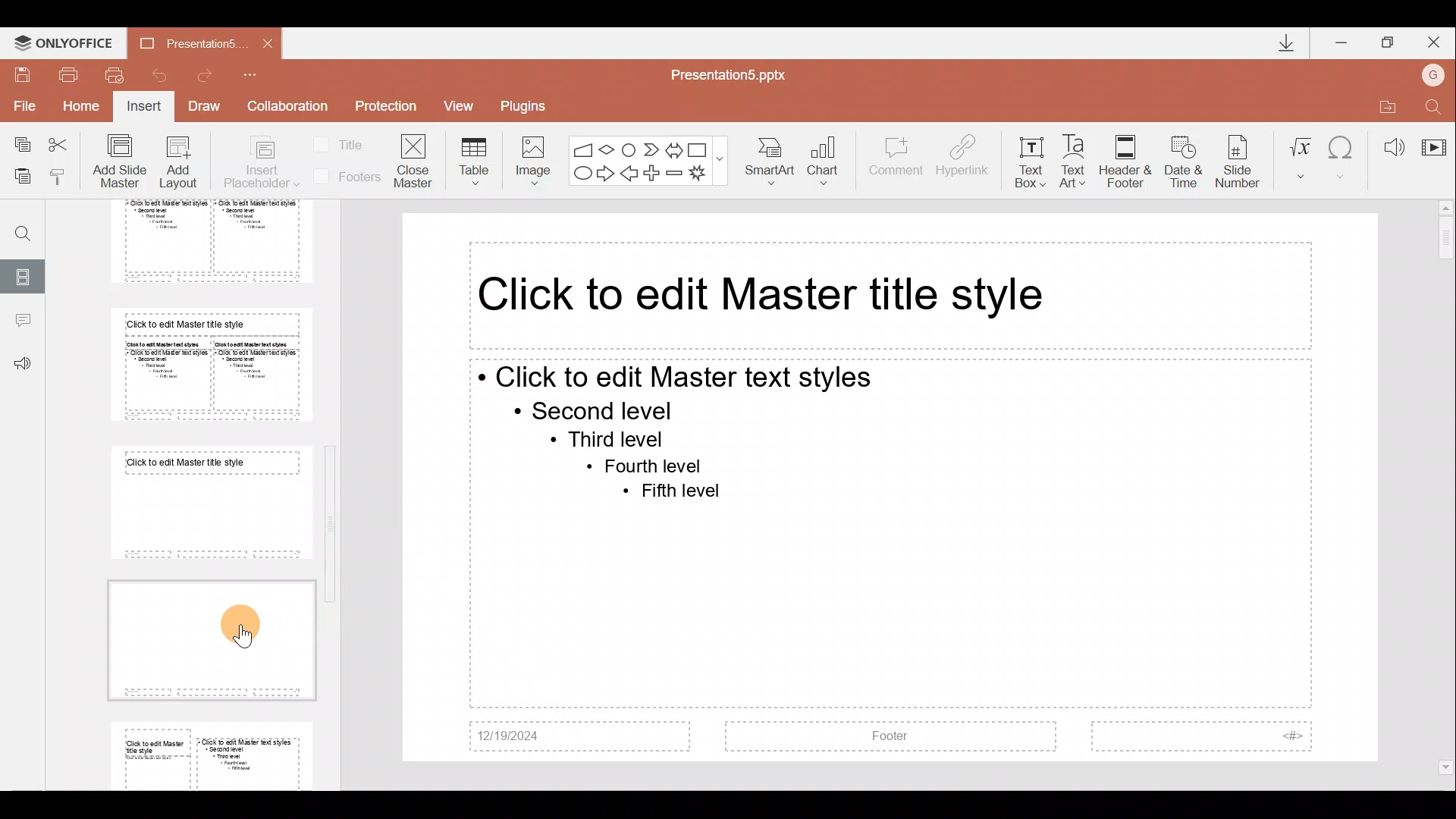  What do you see at coordinates (23, 73) in the screenshot?
I see `Save` at bounding box center [23, 73].